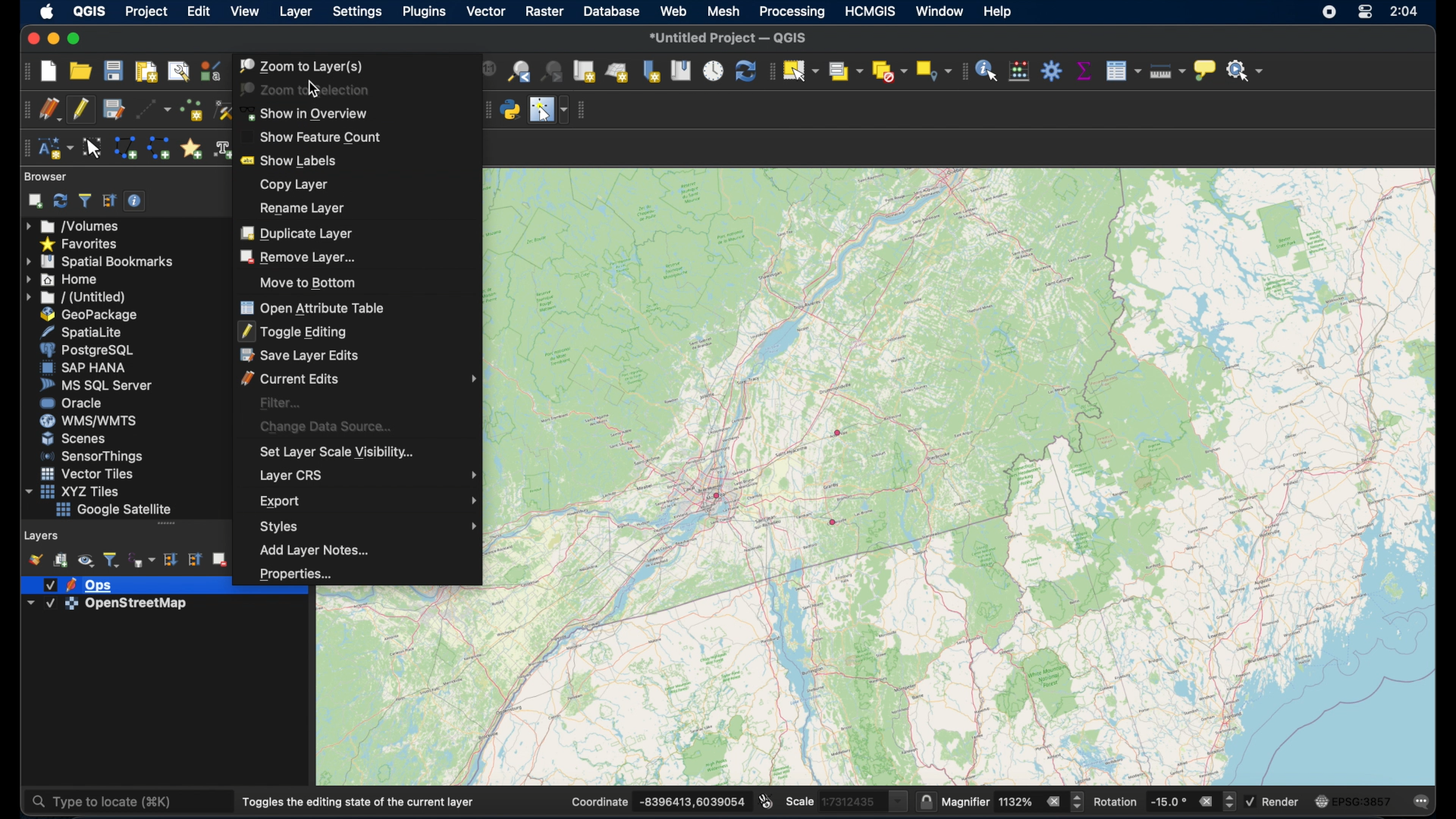 The image size is (1456, 819). Describe the element at coordinates (135, 200) in the screenshot. I see `enable/disable properties widget` at that location.